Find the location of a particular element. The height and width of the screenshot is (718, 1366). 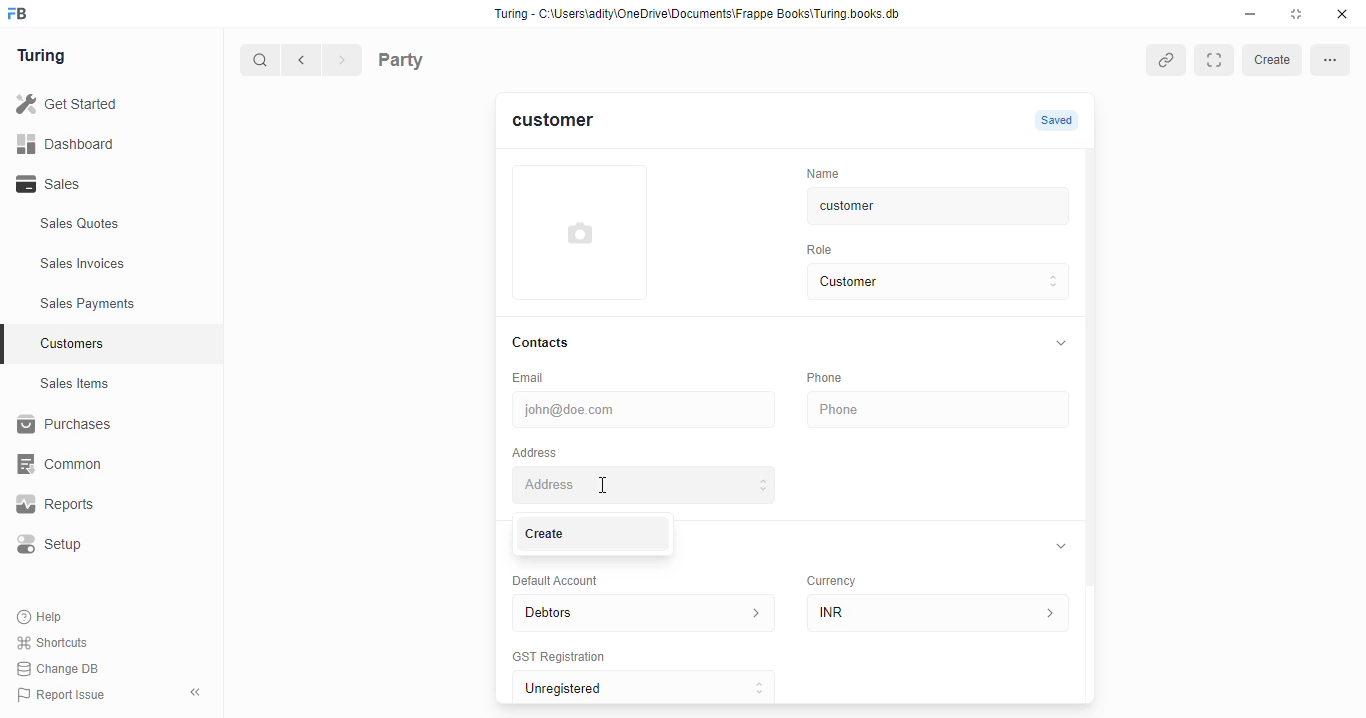

create is located at coordinates (1271, 61).